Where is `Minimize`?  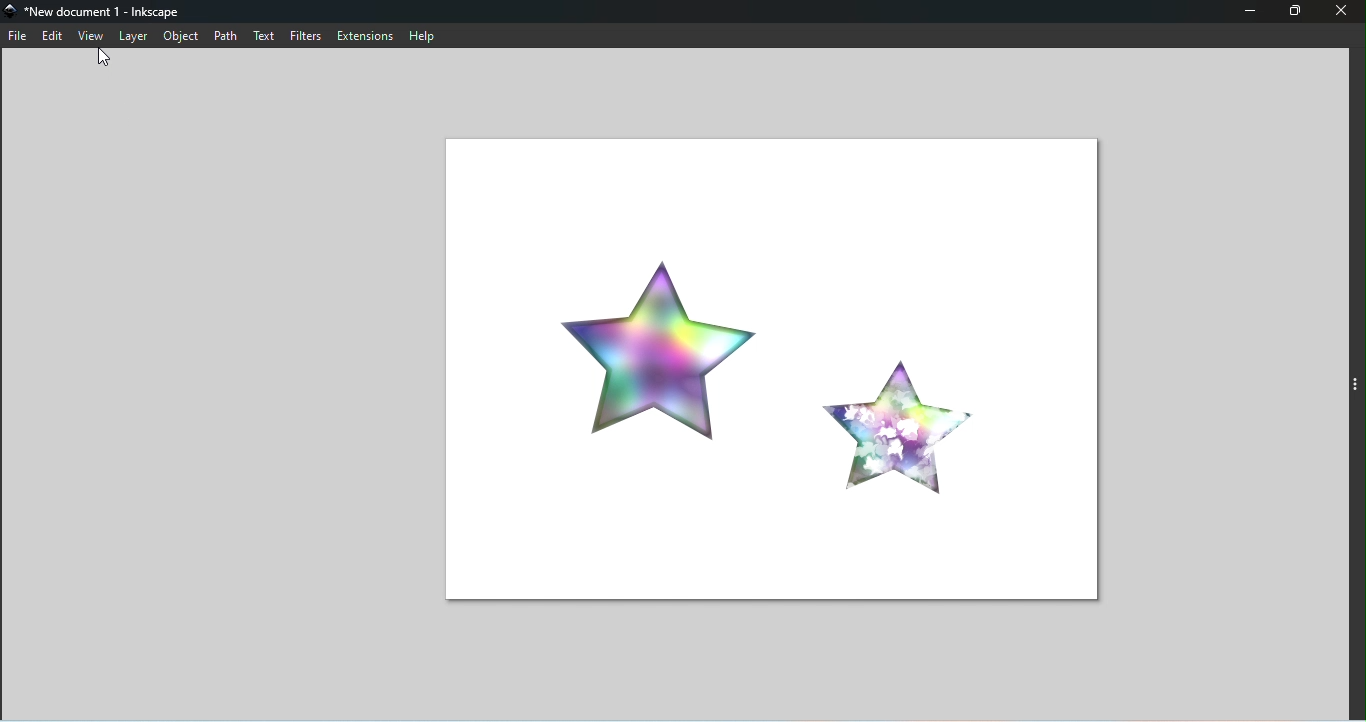
Minimize is located at coordinates (1253, 13).